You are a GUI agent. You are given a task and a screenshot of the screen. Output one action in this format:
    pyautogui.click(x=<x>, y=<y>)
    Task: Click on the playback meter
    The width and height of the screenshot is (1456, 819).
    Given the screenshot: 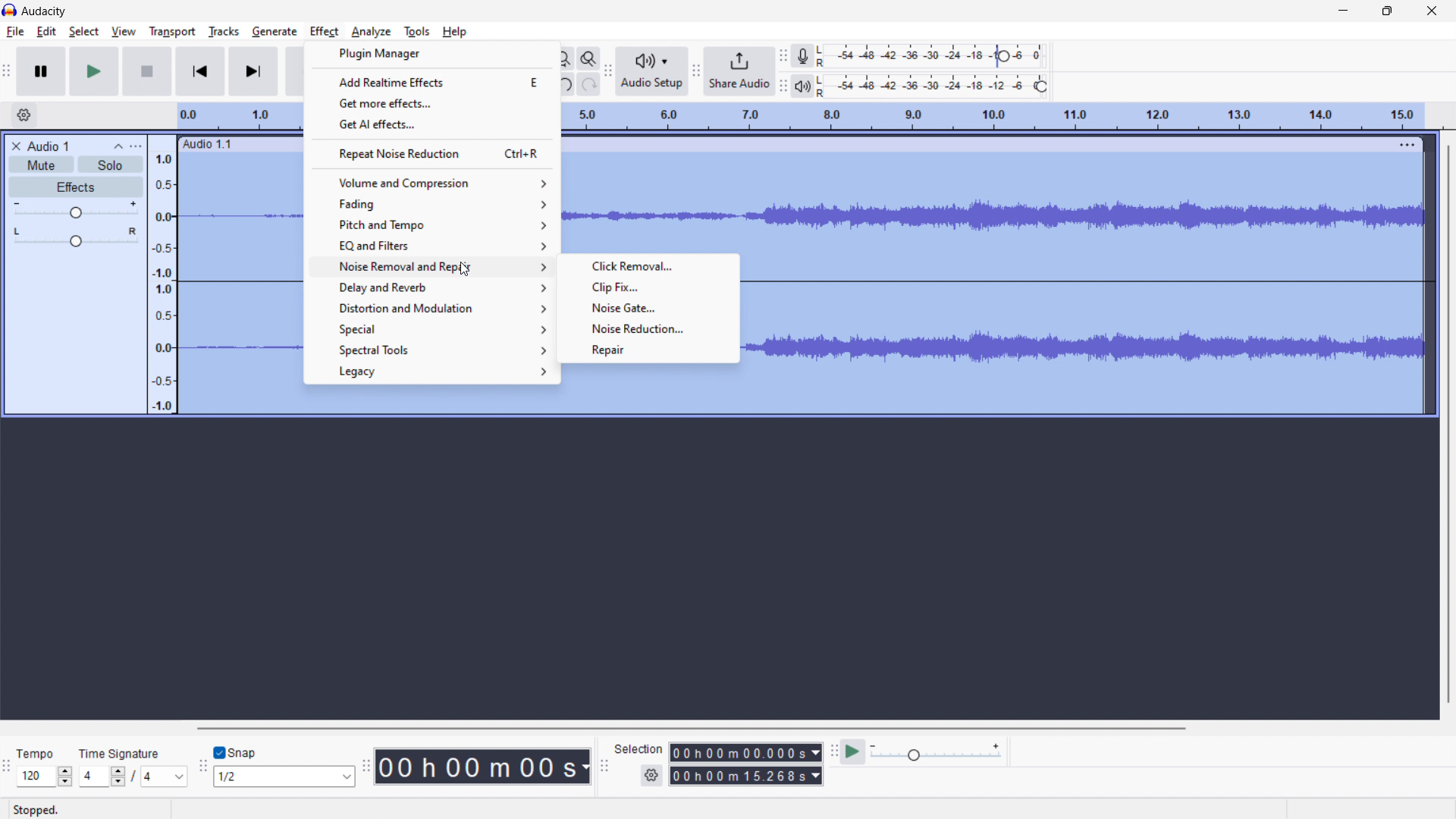 What is the action you would take?
    pyautogui.click(x=937, y=752)
    